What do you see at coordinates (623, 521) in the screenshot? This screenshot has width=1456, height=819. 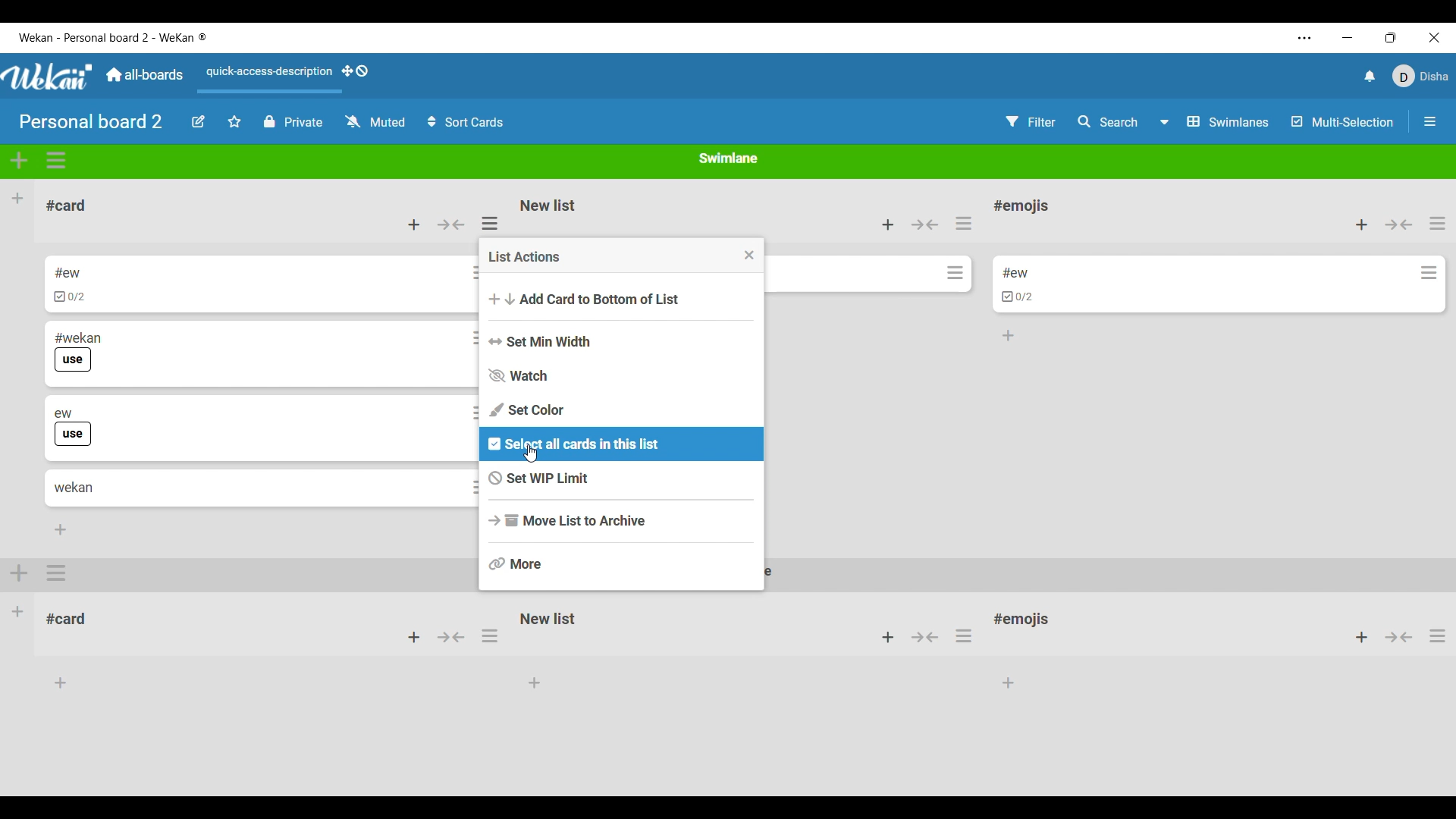 I see `Move list too archive` at bounding box center [623, 521].